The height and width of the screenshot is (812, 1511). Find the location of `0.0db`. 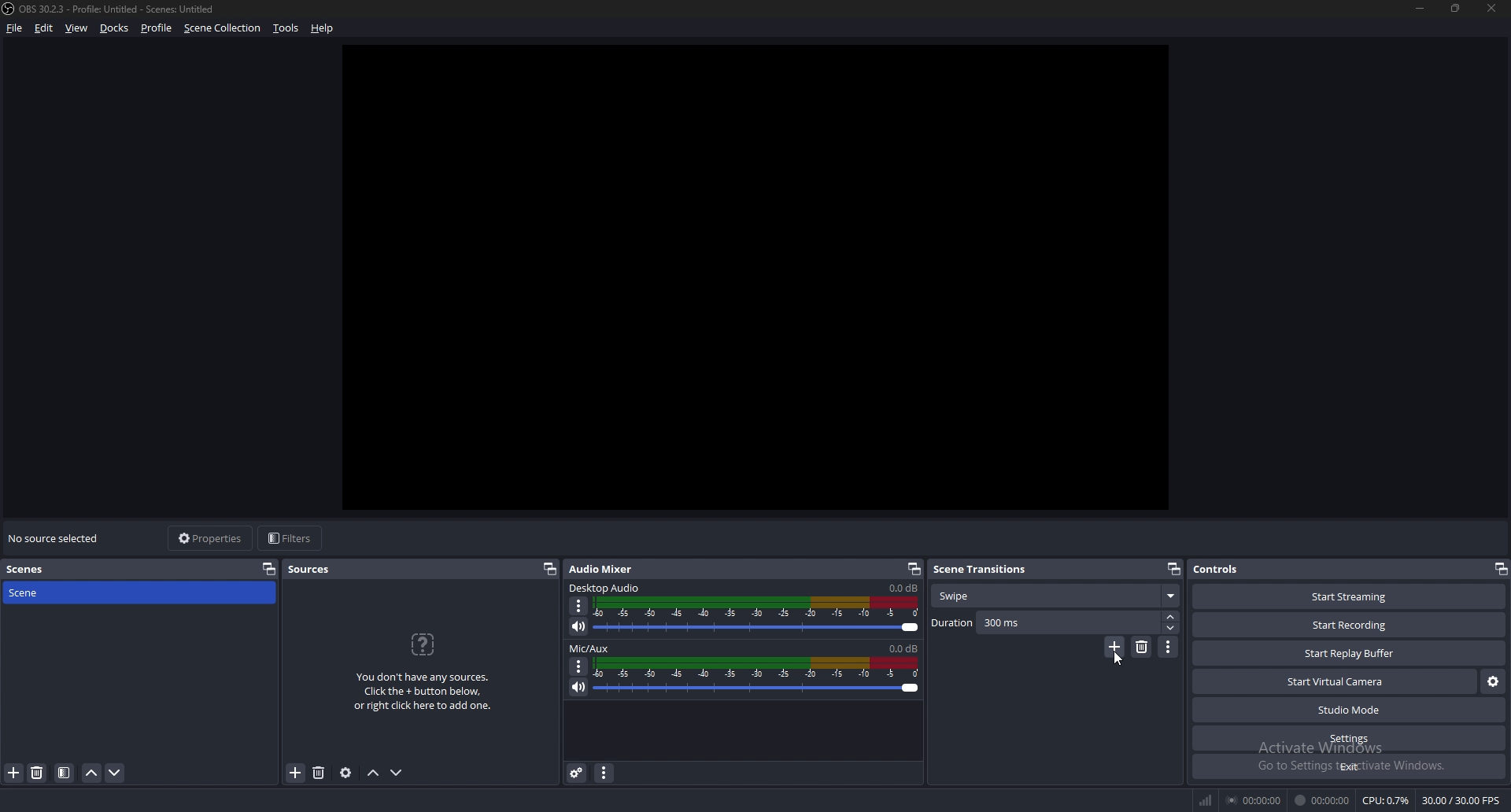

0.0db is located at coordinates (903, 648).